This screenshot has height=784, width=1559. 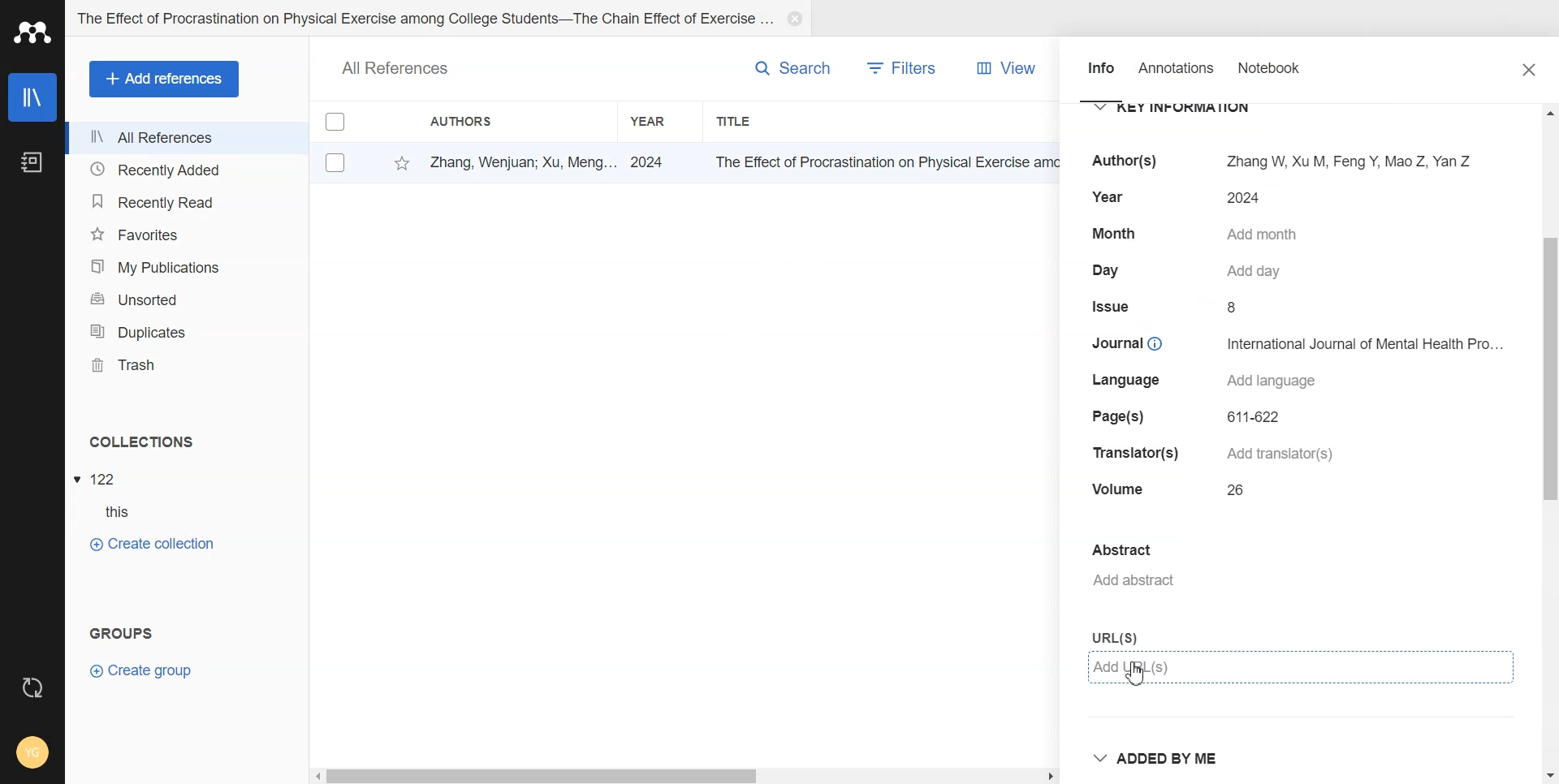 What do you see at coordinates (1271, 583) in the screenshot?
I see `Add Abstract` at bounding box center [1271, 583].